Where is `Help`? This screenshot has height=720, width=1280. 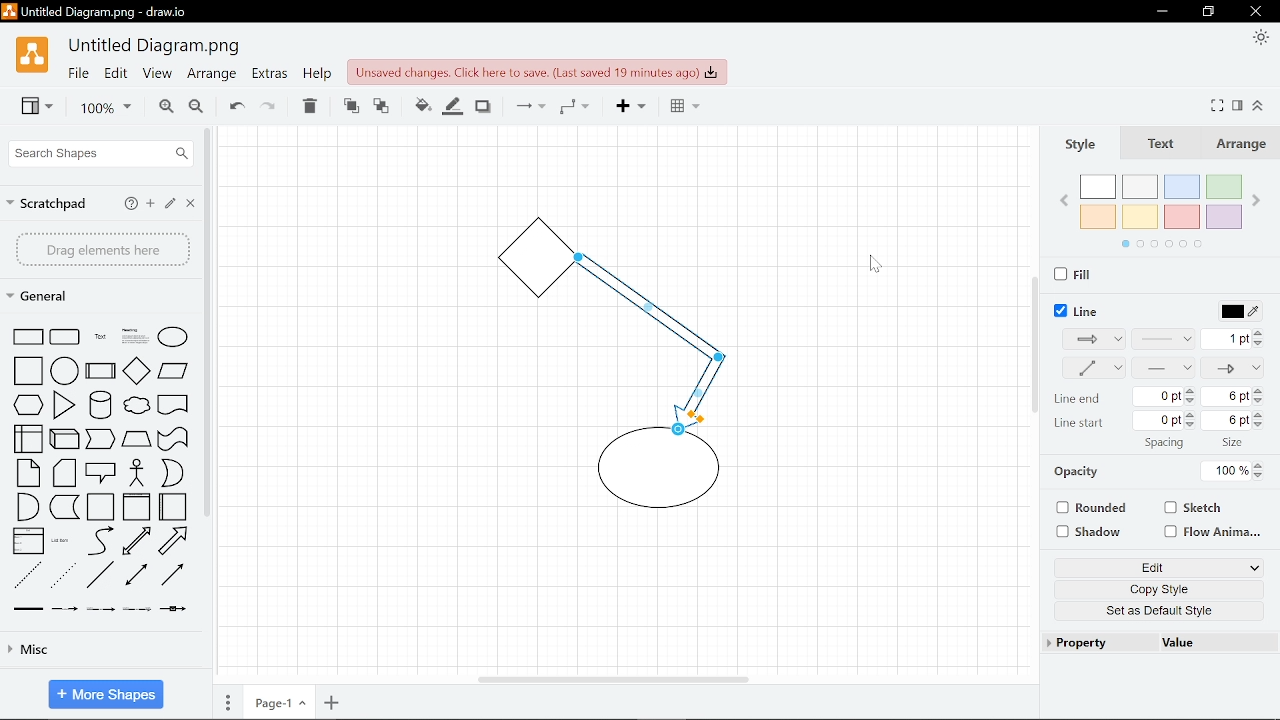
Help is located at coordinates (130, 203).